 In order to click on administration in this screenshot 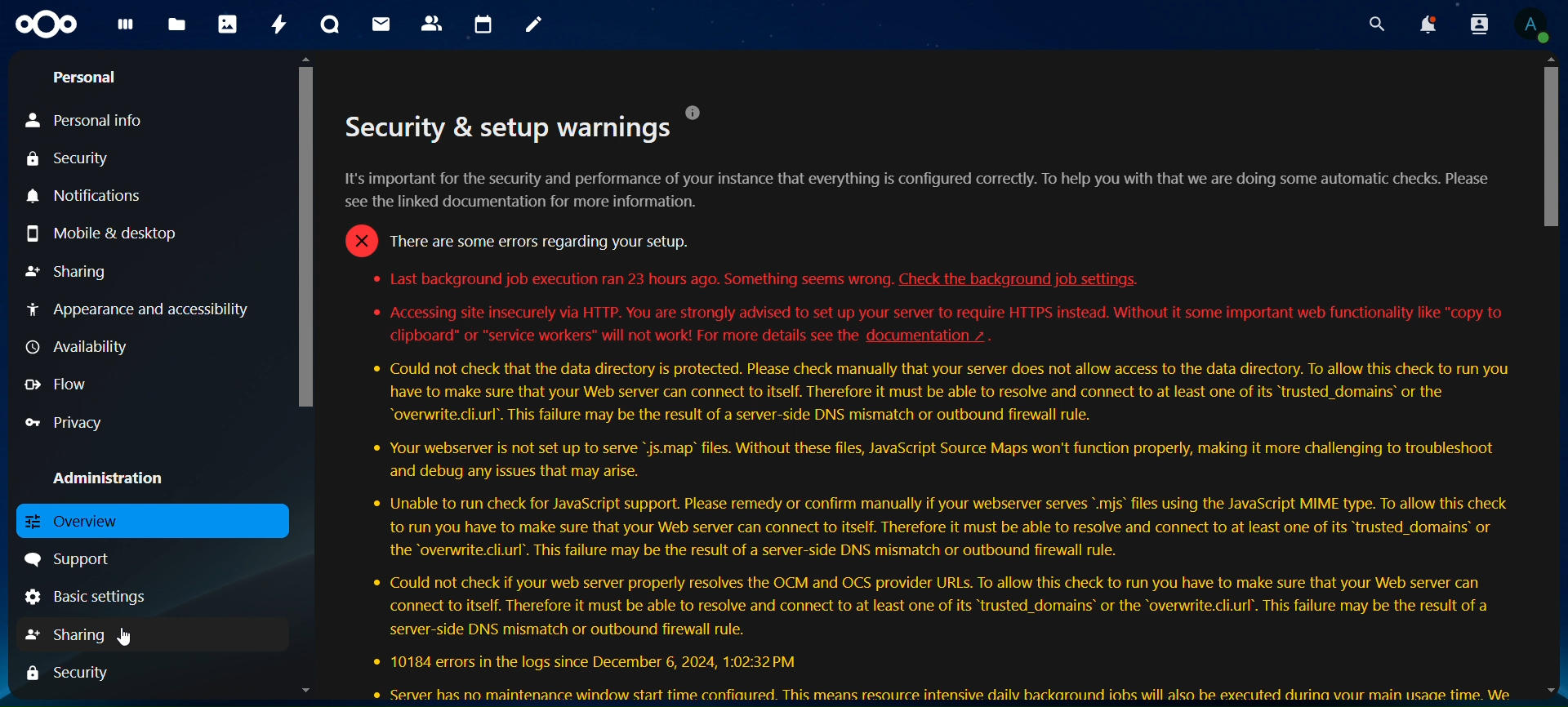, I will do `click(106, 474)`.